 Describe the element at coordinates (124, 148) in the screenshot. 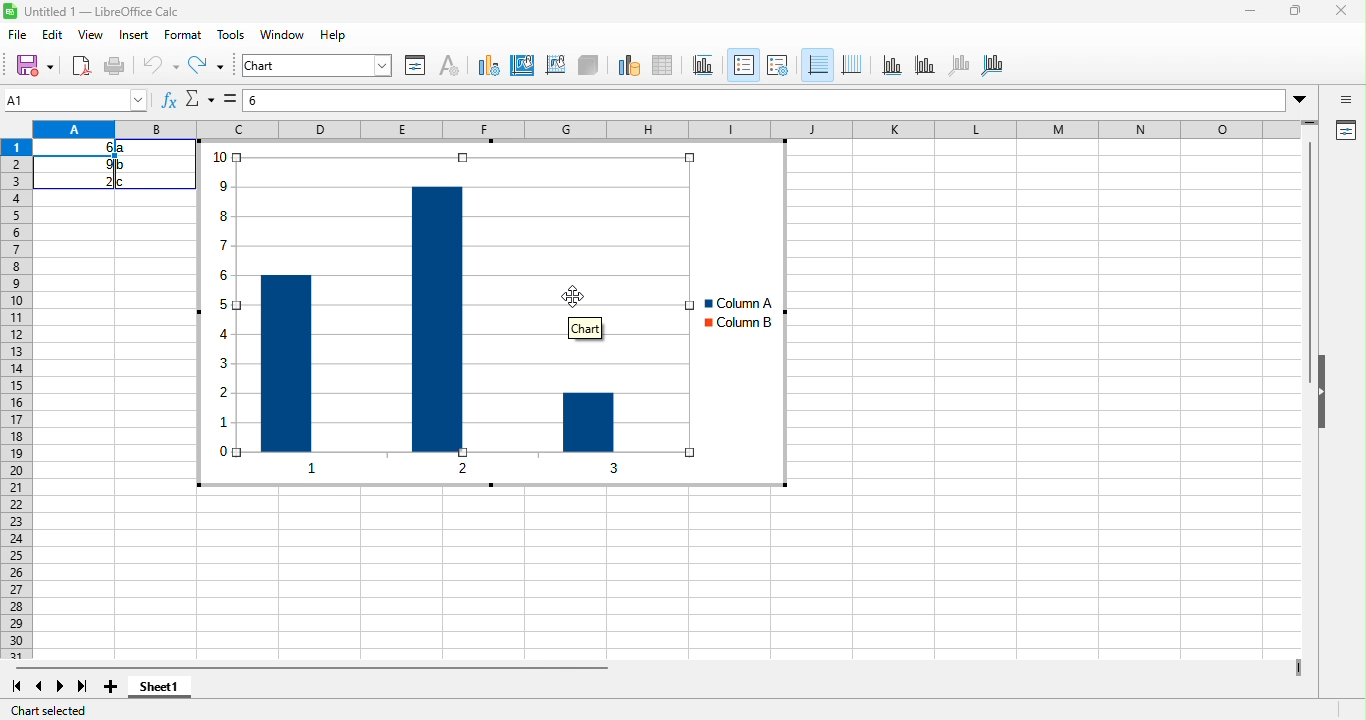

I see `a` at that location.